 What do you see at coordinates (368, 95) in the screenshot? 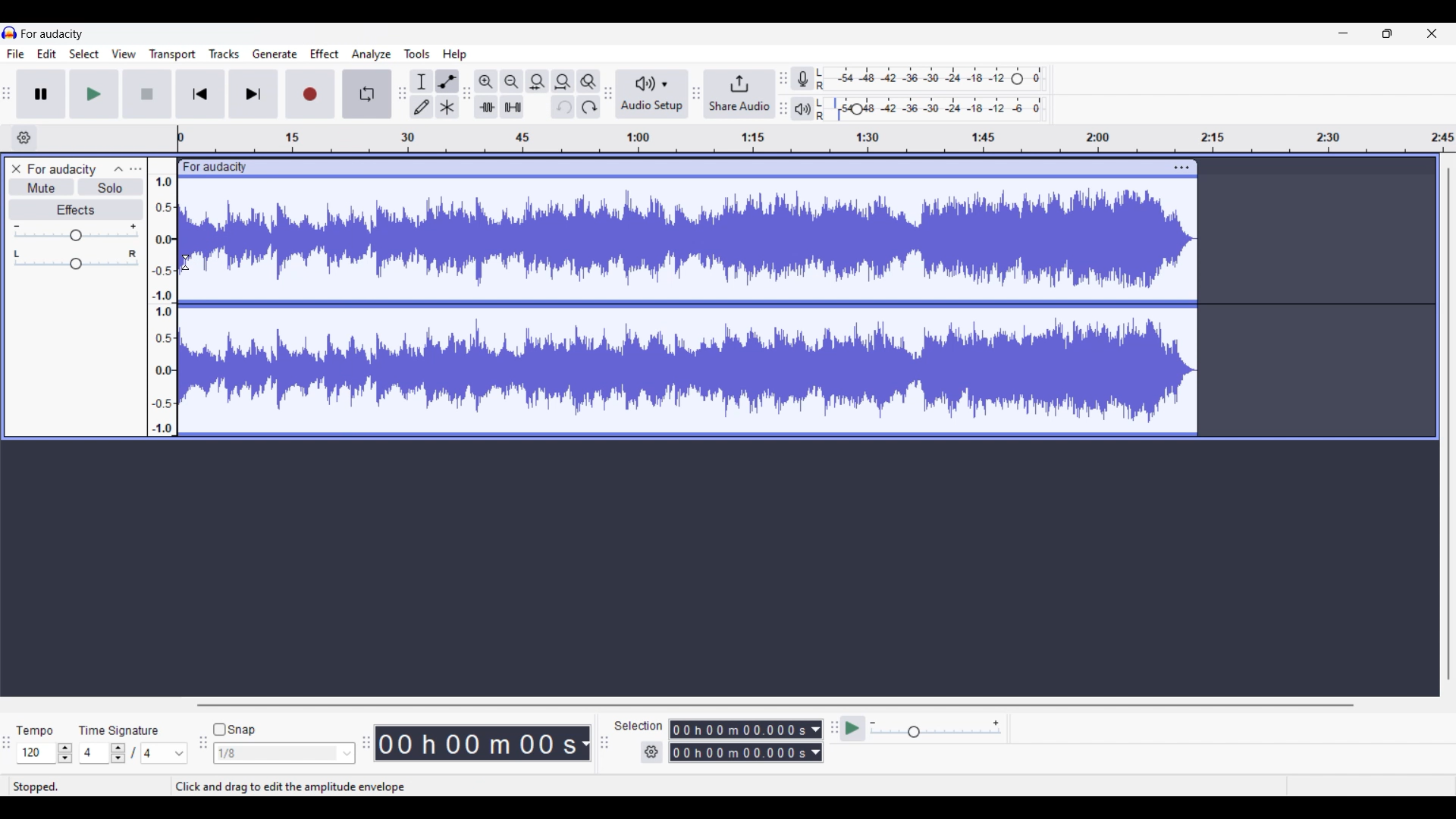
I see `Enable looping` at bounding box center [368, 95].